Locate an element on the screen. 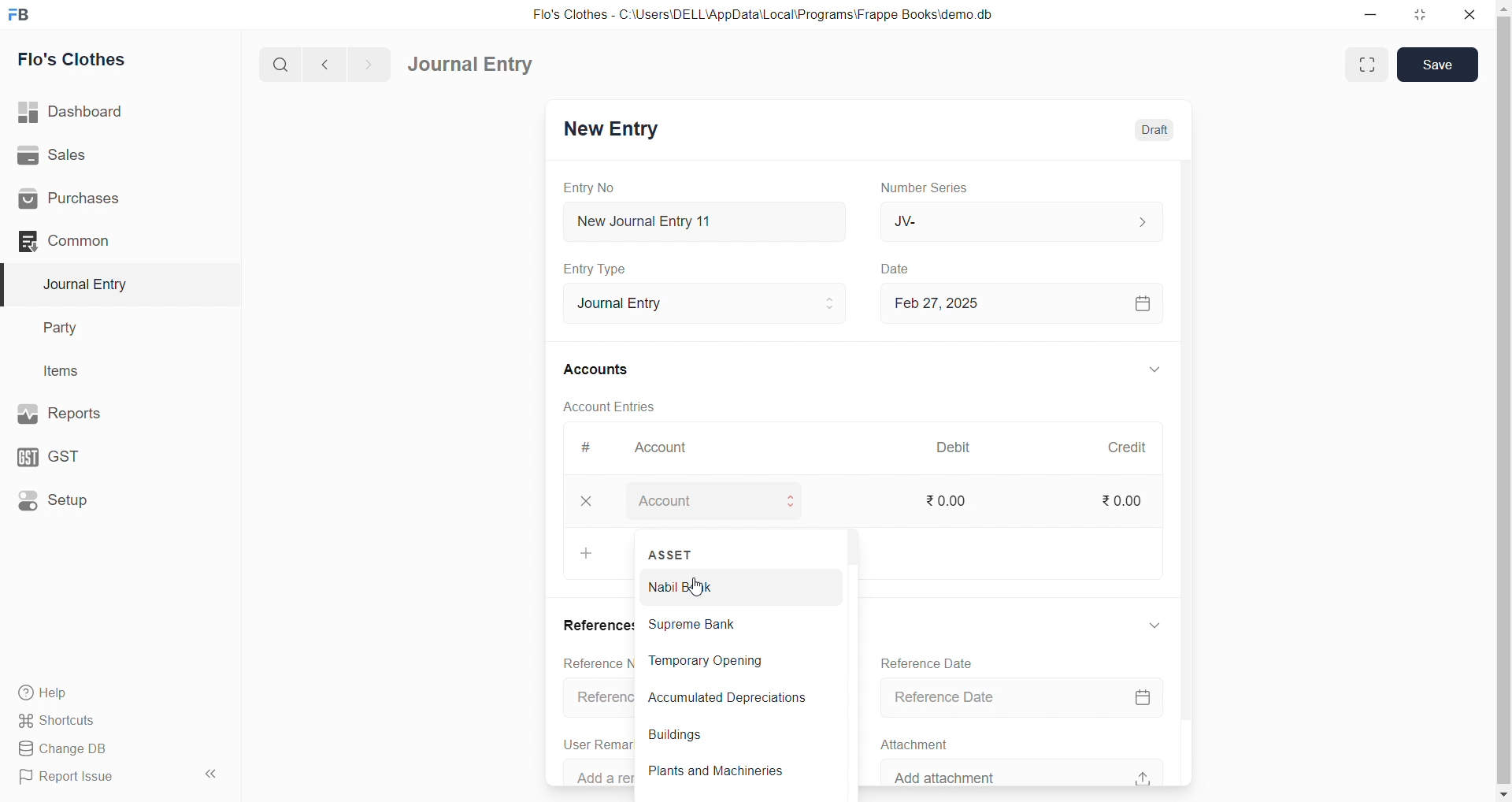 The image size is (1512, 802). search is located at coordinates (278, 66).